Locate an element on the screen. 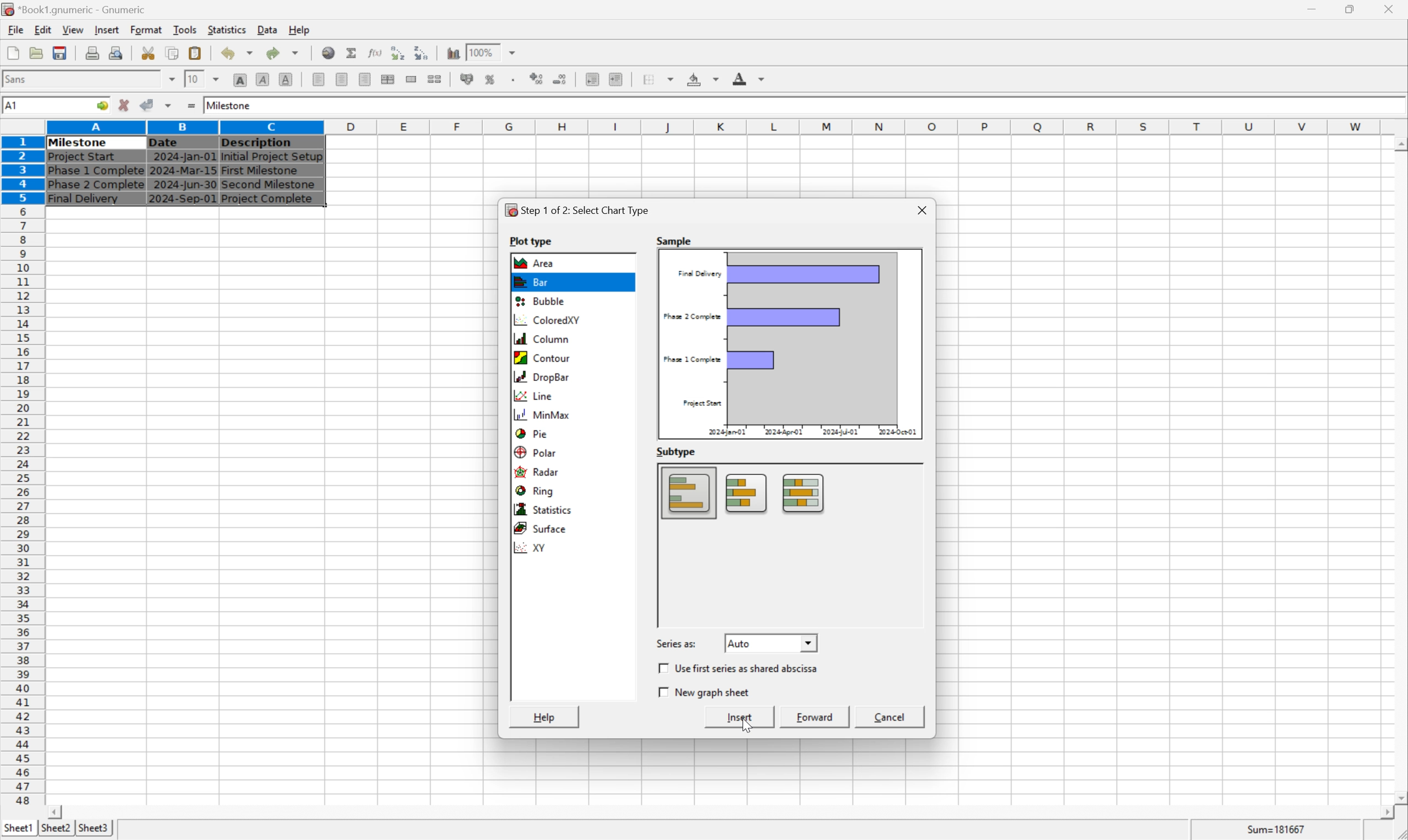  statistics is located at coordinates (228, 29).